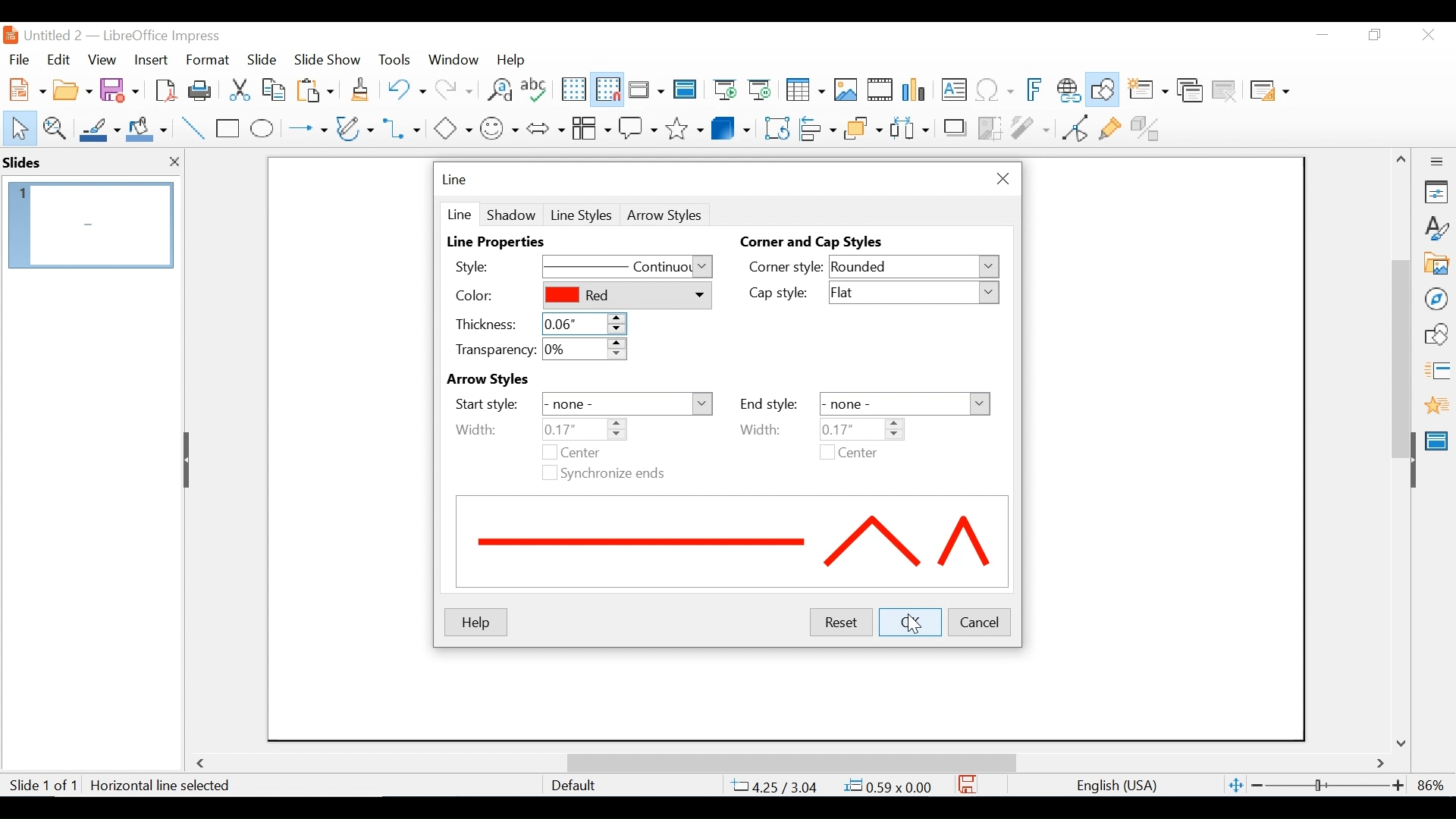 The image size is (1456, 819). Describe the element at coordinates (262, 58) in the screenshot. I see `Slide` at that location.